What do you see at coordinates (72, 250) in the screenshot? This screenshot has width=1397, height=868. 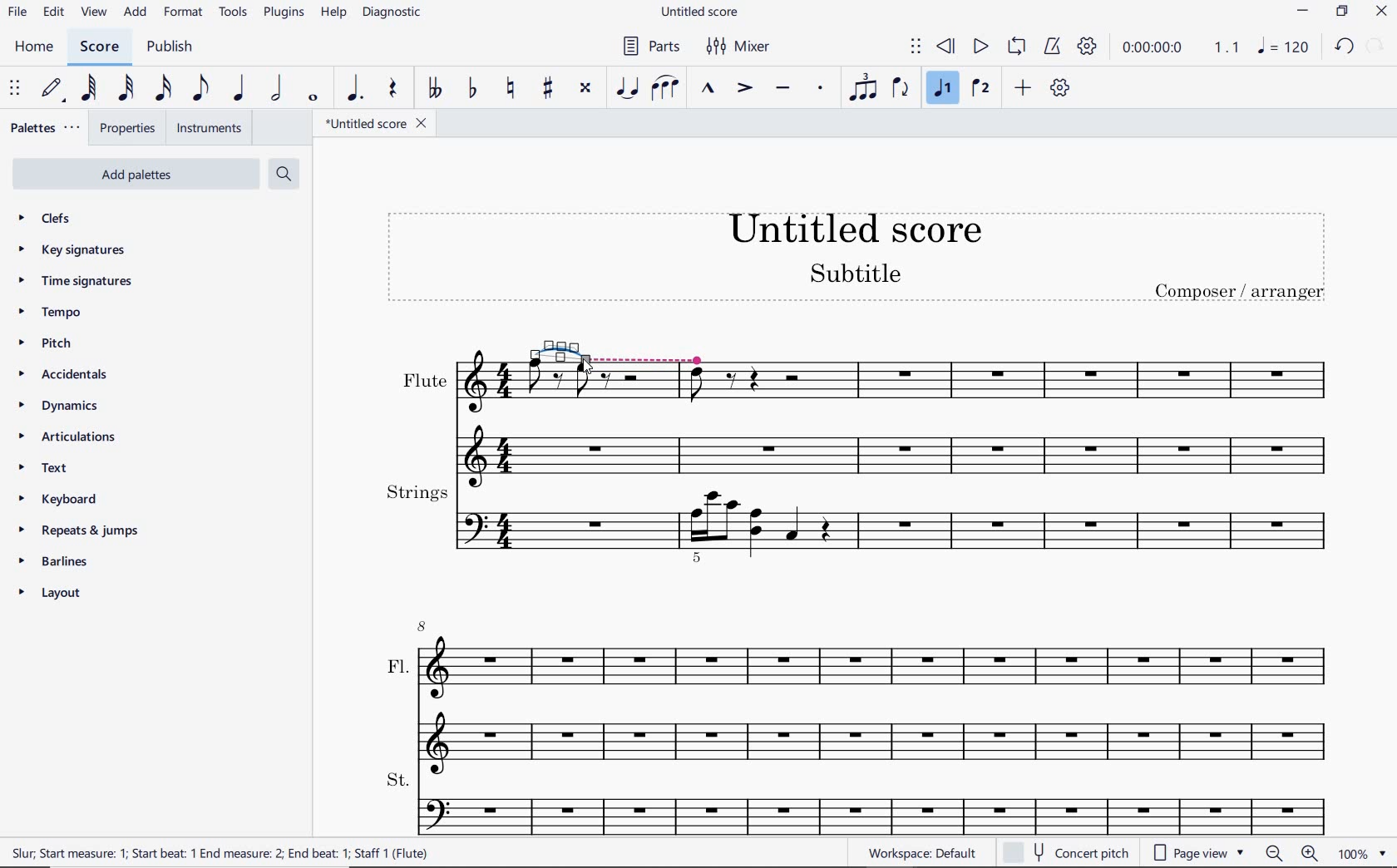 I see `key signatures` at bounding box center [72, 250].